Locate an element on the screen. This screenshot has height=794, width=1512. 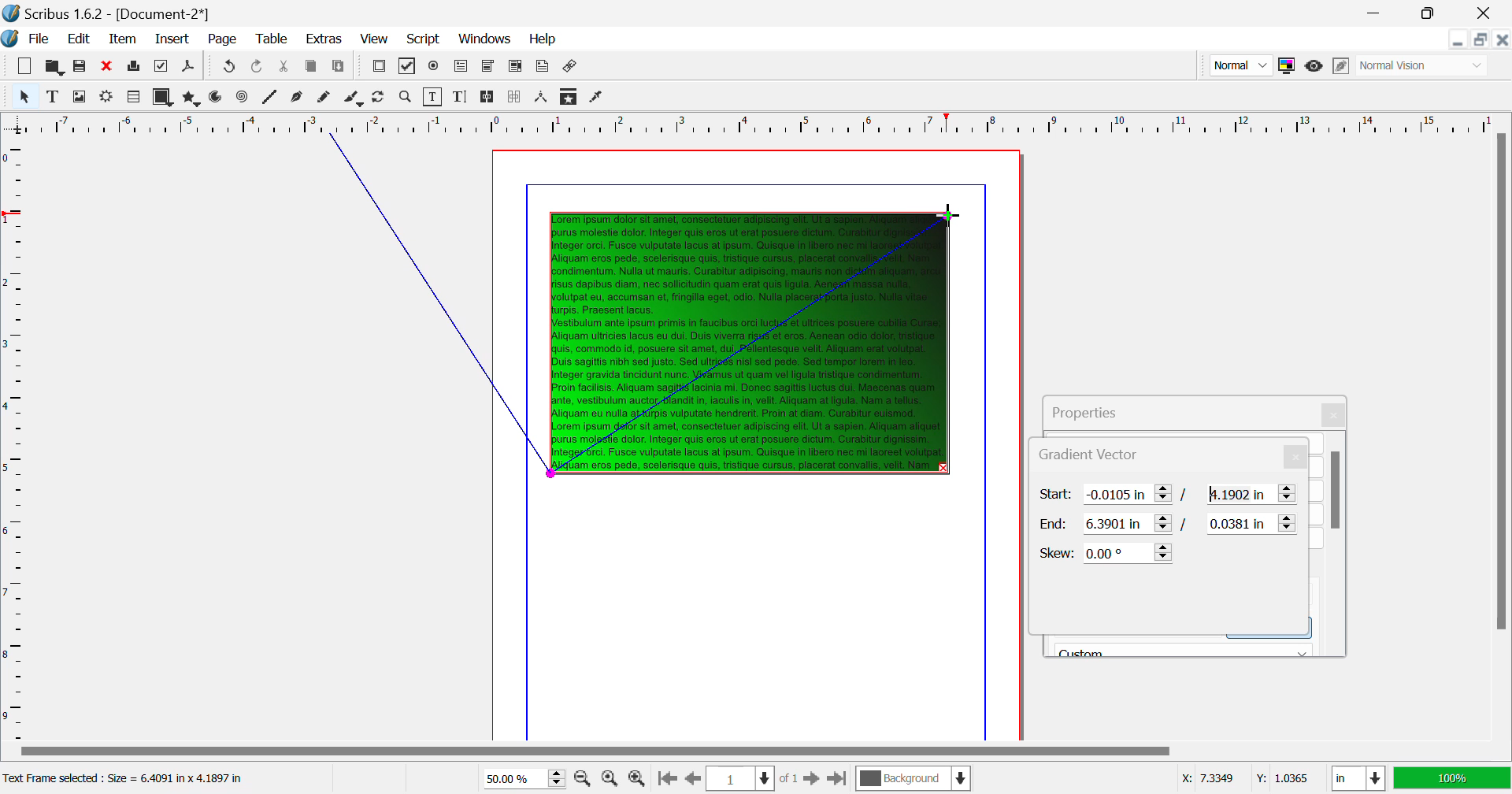
Zoom to 100% is located at coordinates (610, 778).